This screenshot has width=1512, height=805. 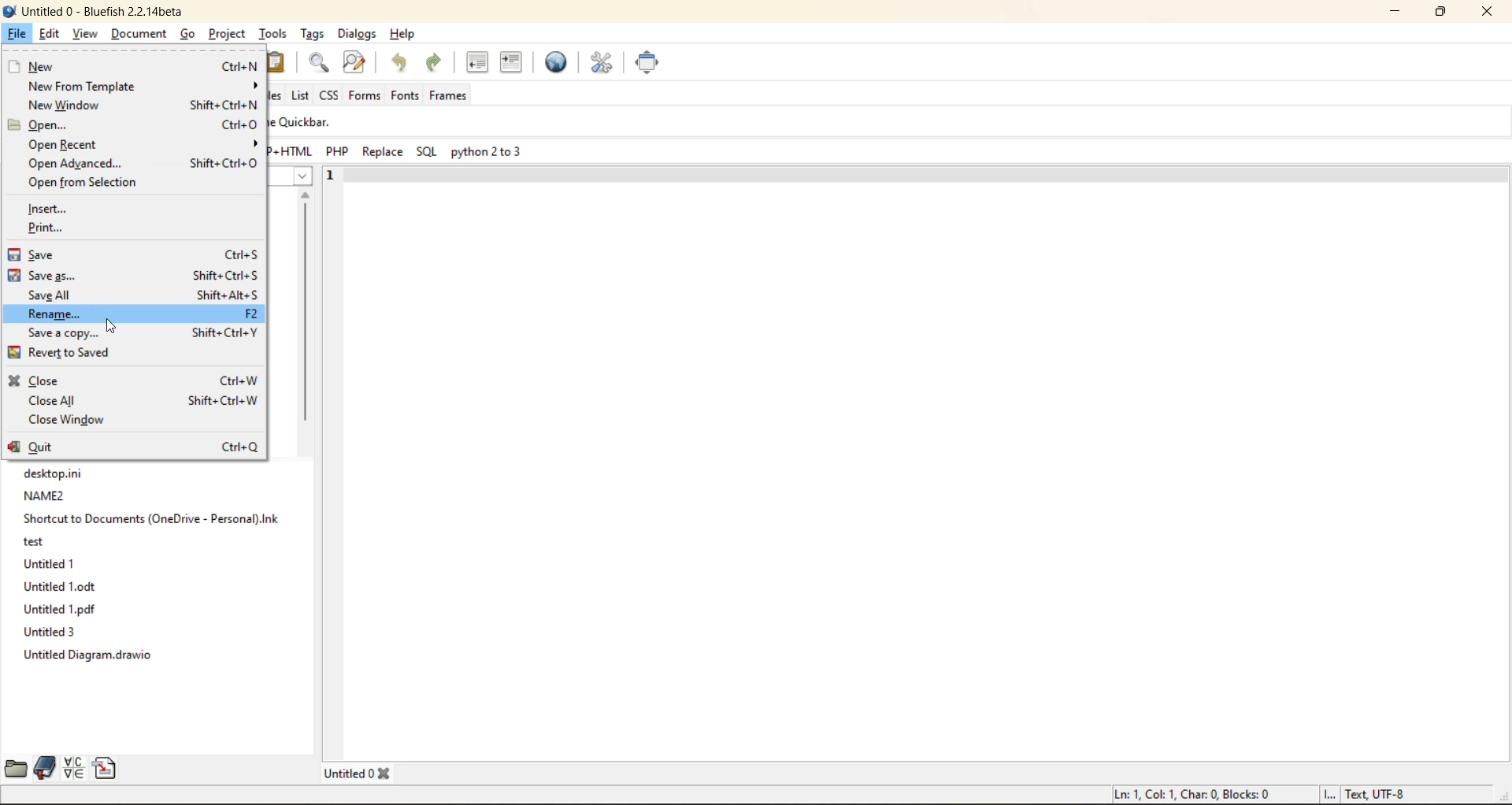 I want to click on show menu, so click(x=254, y=85).